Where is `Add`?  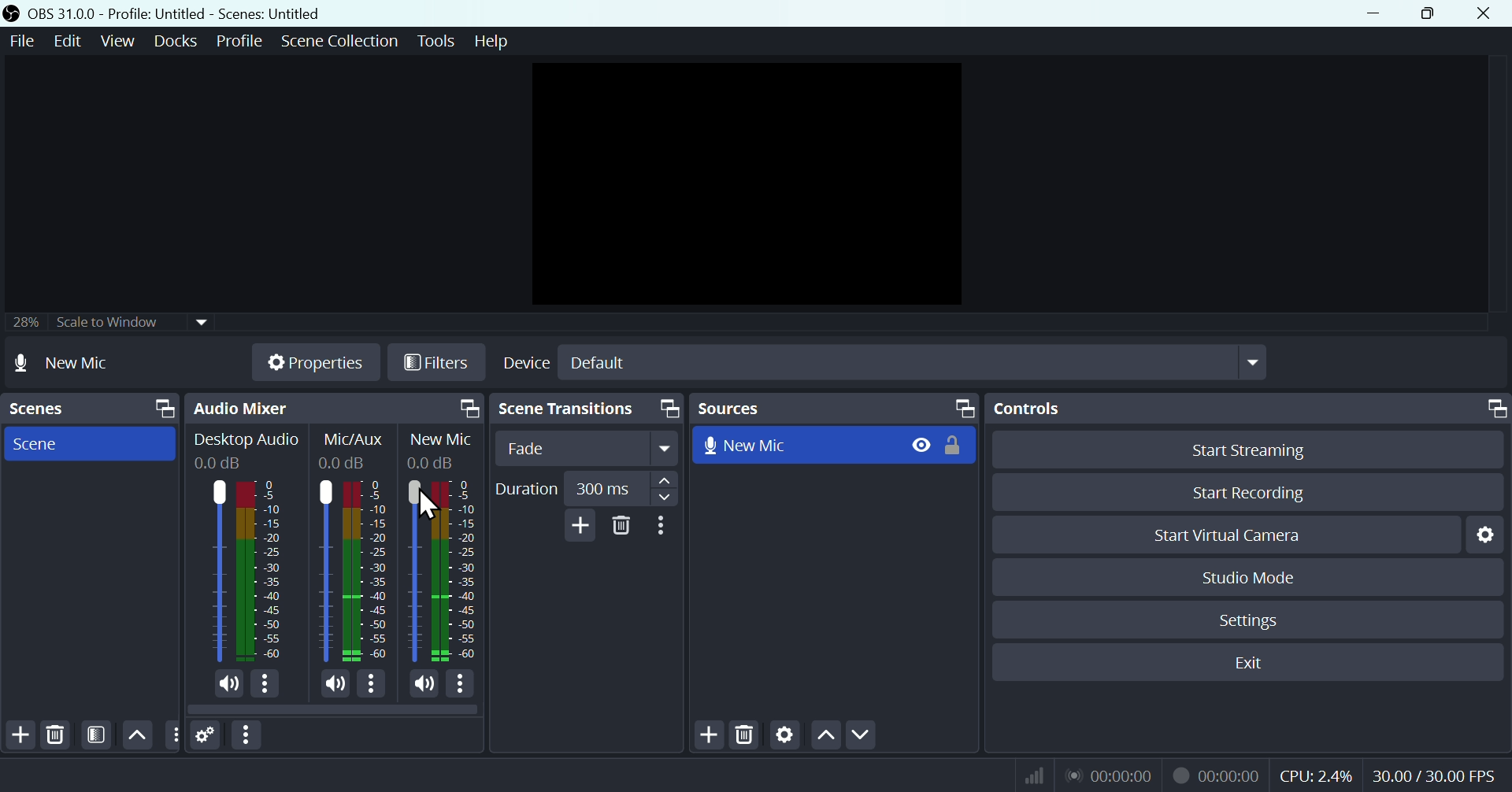
Add is located at coordinates (711, 736).